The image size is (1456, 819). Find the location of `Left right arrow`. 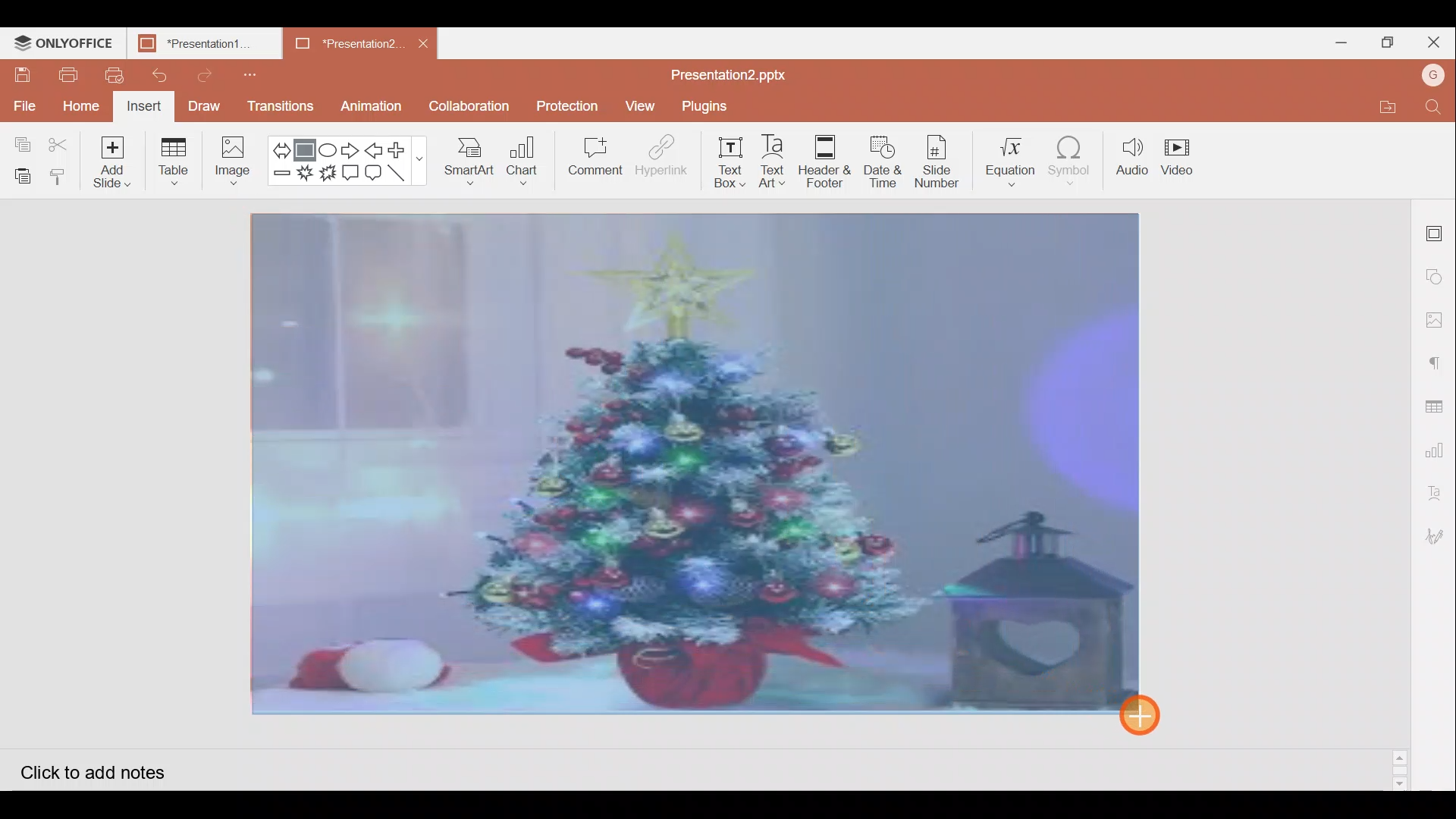

Left right arrow is located at coordinates (281, 146).